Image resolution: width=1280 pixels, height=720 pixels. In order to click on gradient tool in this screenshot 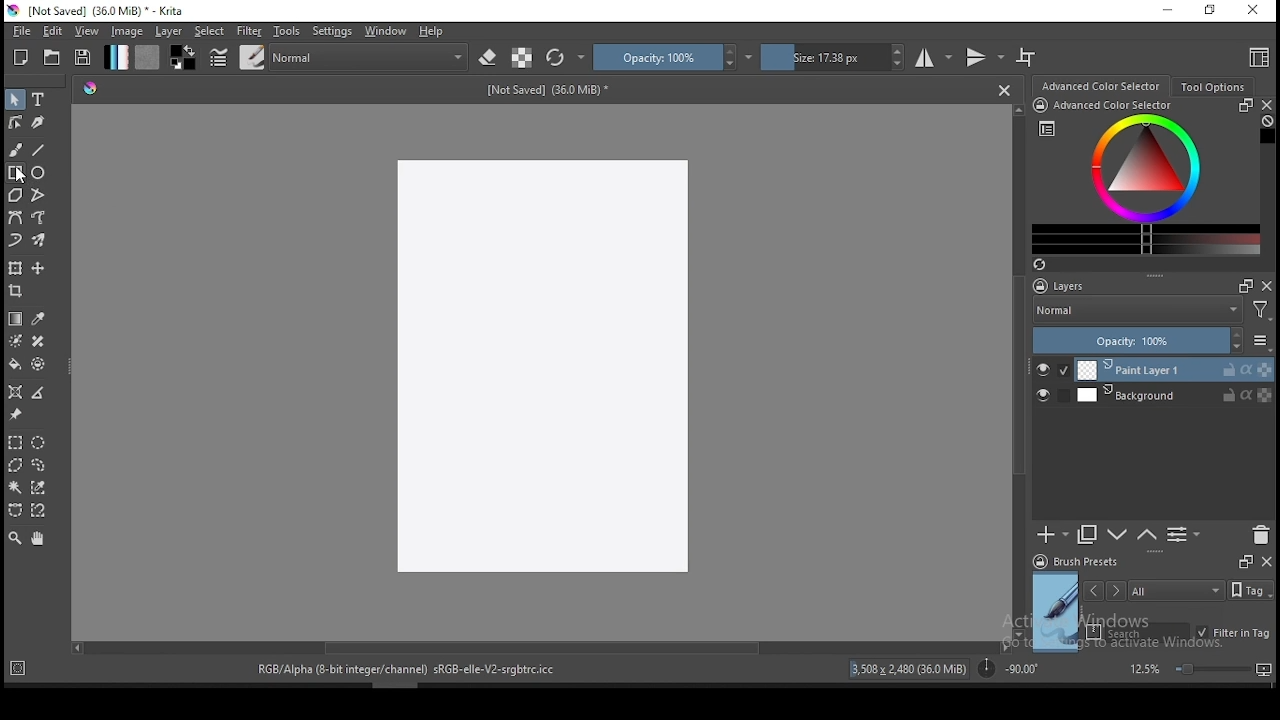, I will do `click(16, 319)`.